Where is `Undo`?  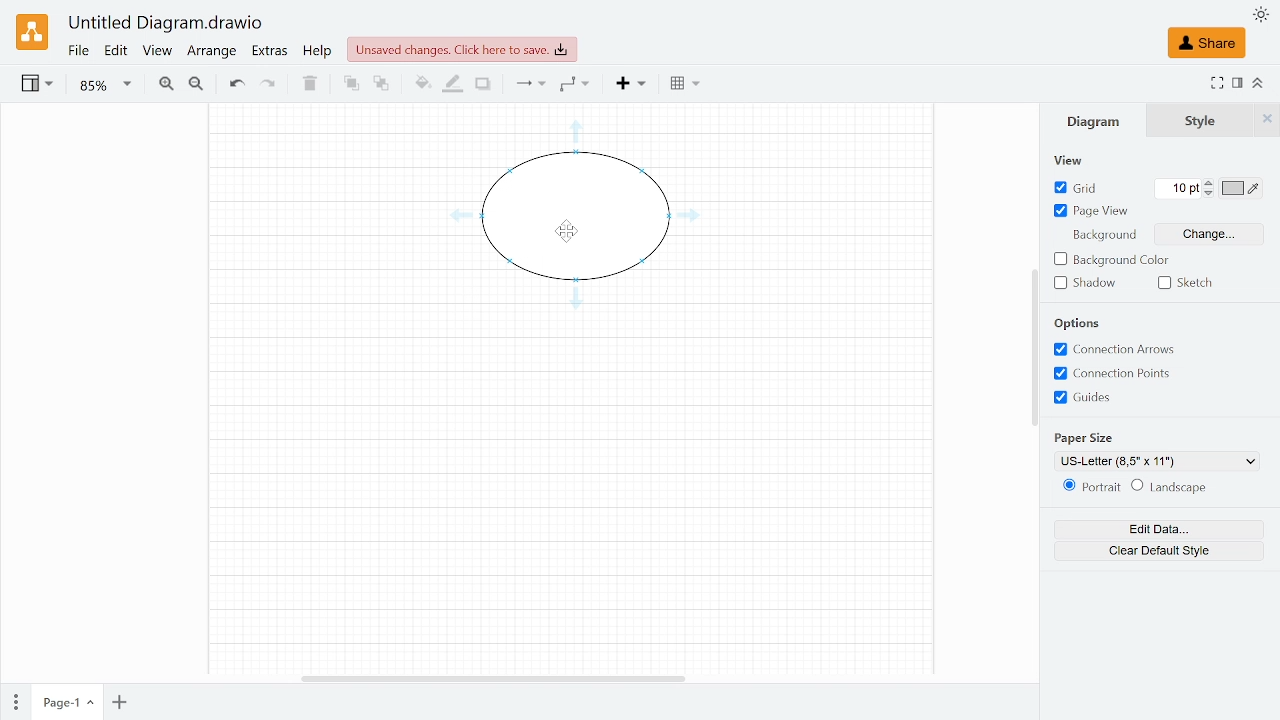 Undo is located at coordinates (237, 85).